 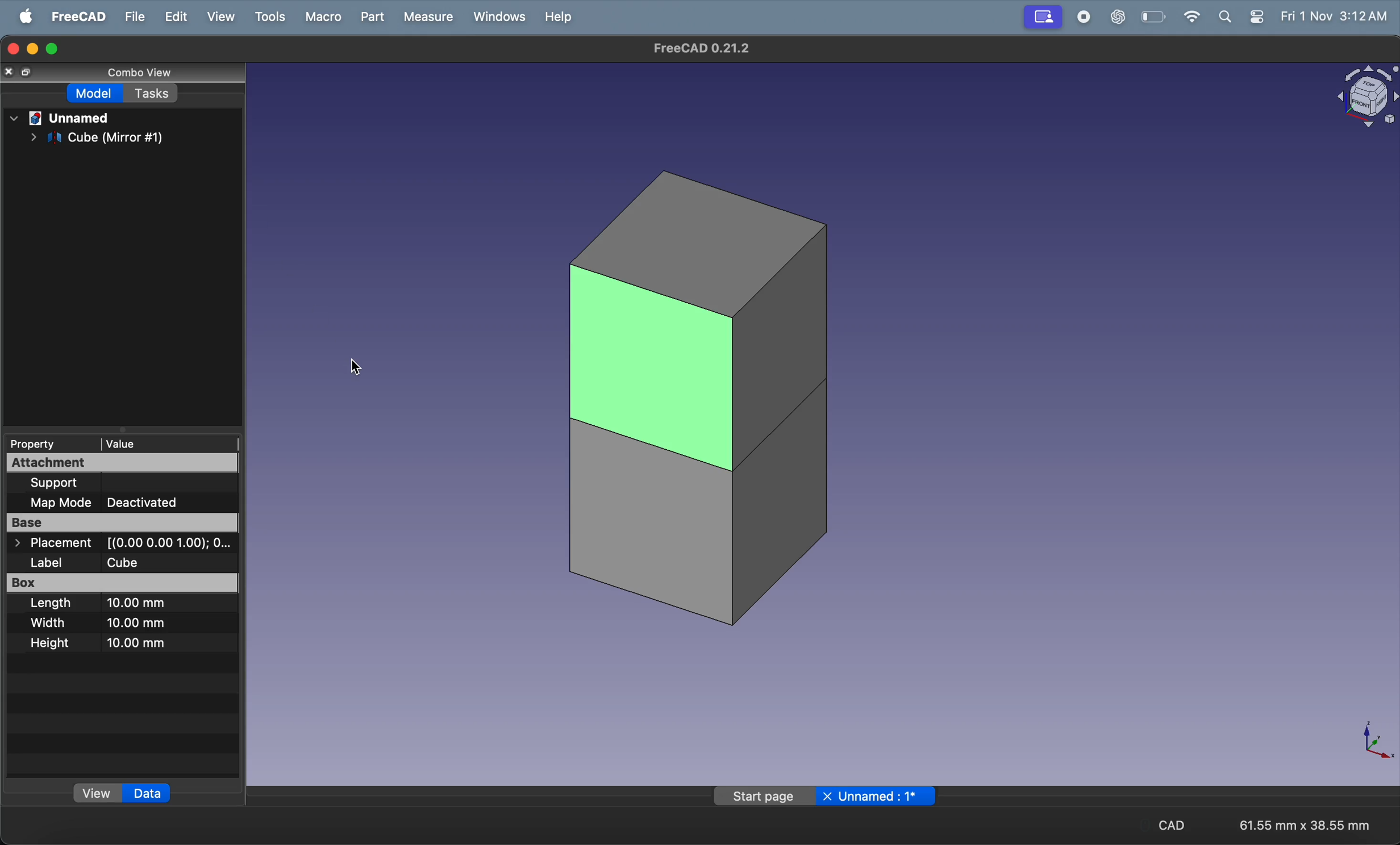 I want to click on edit, so click(x=173, y=16).